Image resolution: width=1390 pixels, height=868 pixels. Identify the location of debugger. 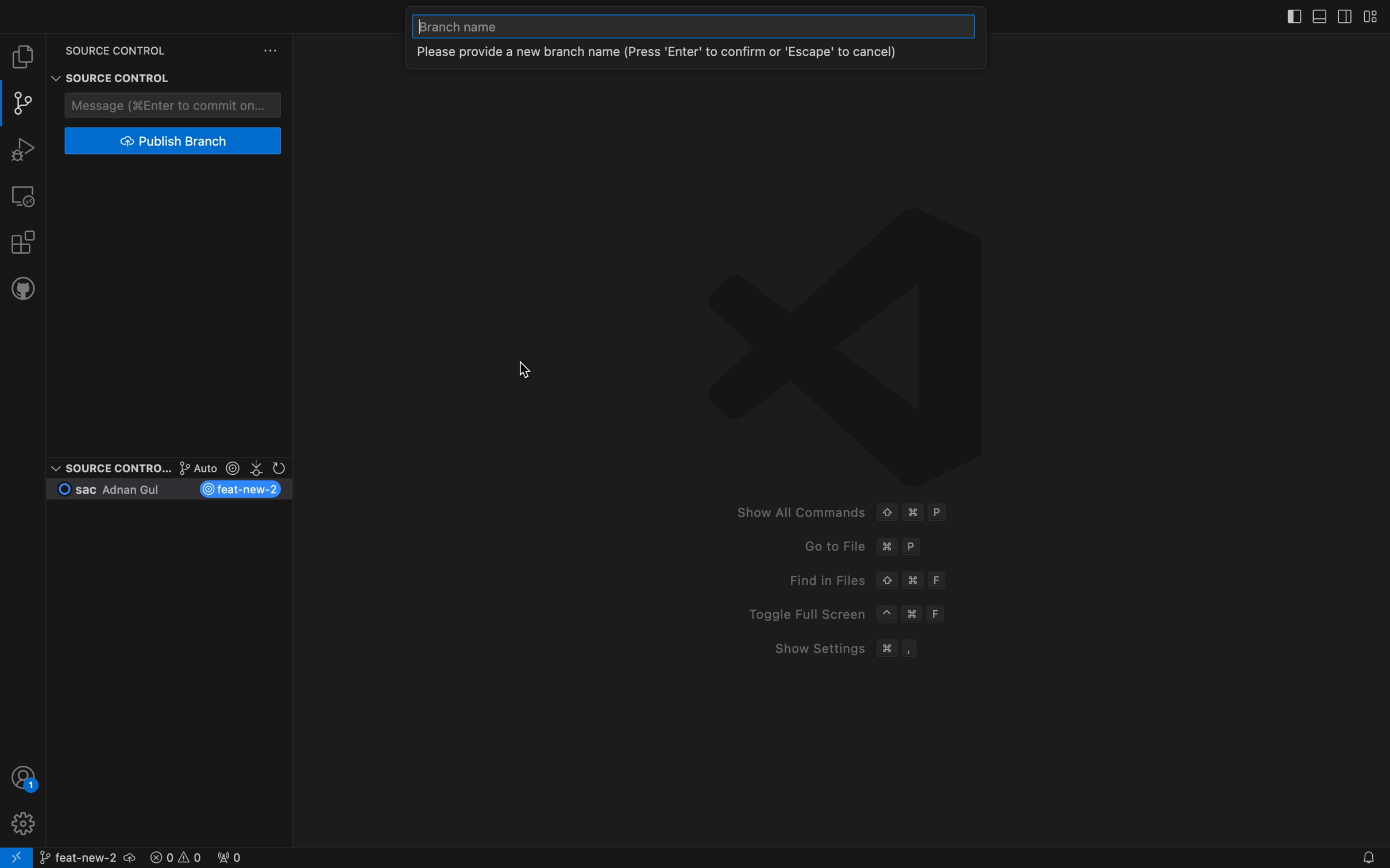
(22, 148).